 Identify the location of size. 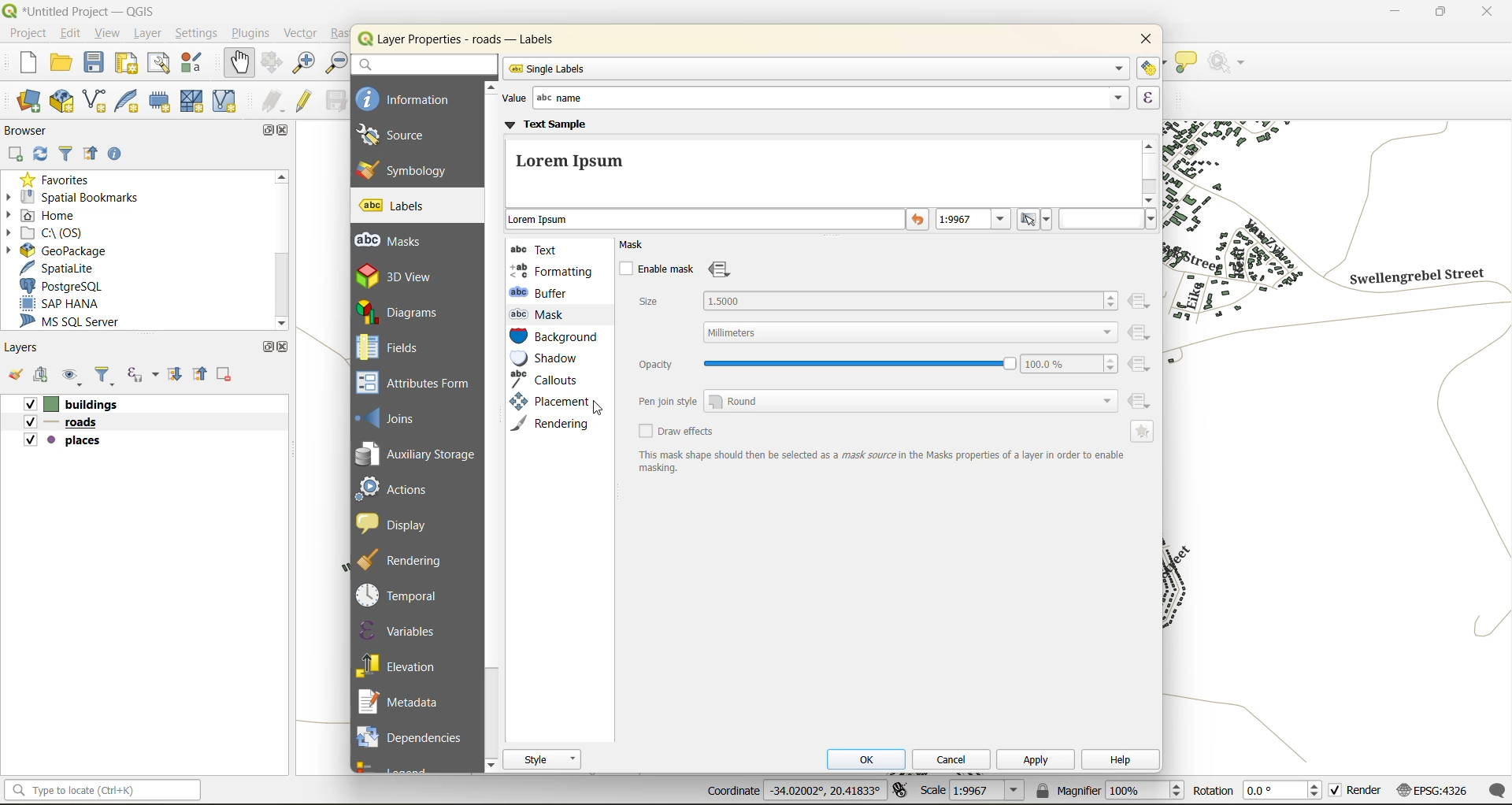
(876, 314).